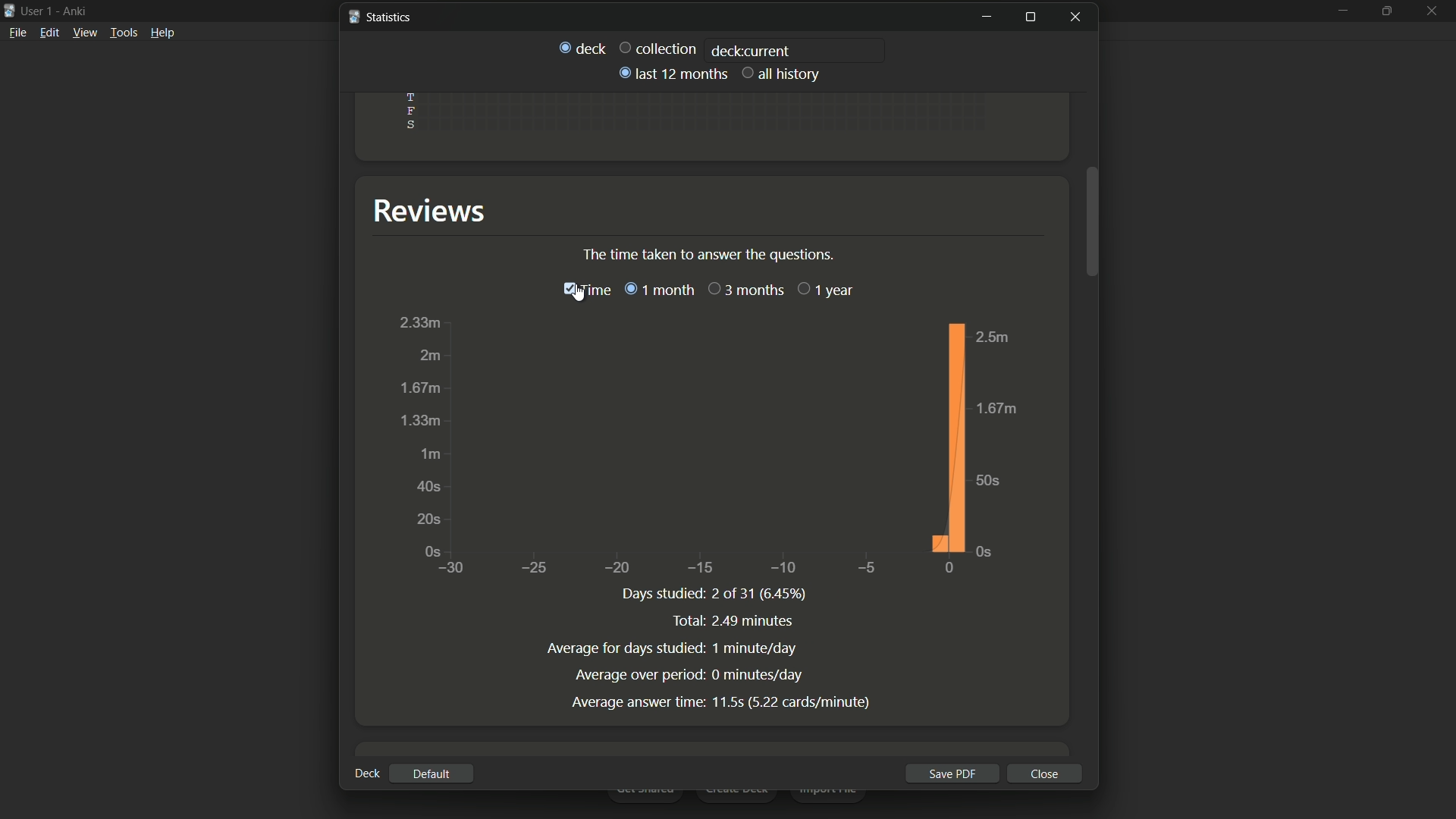 The height and width of the screenshot is (819, 1456). Describe the element at coordinates (379, 16) in the screenshot. I see `statistics` at that location.